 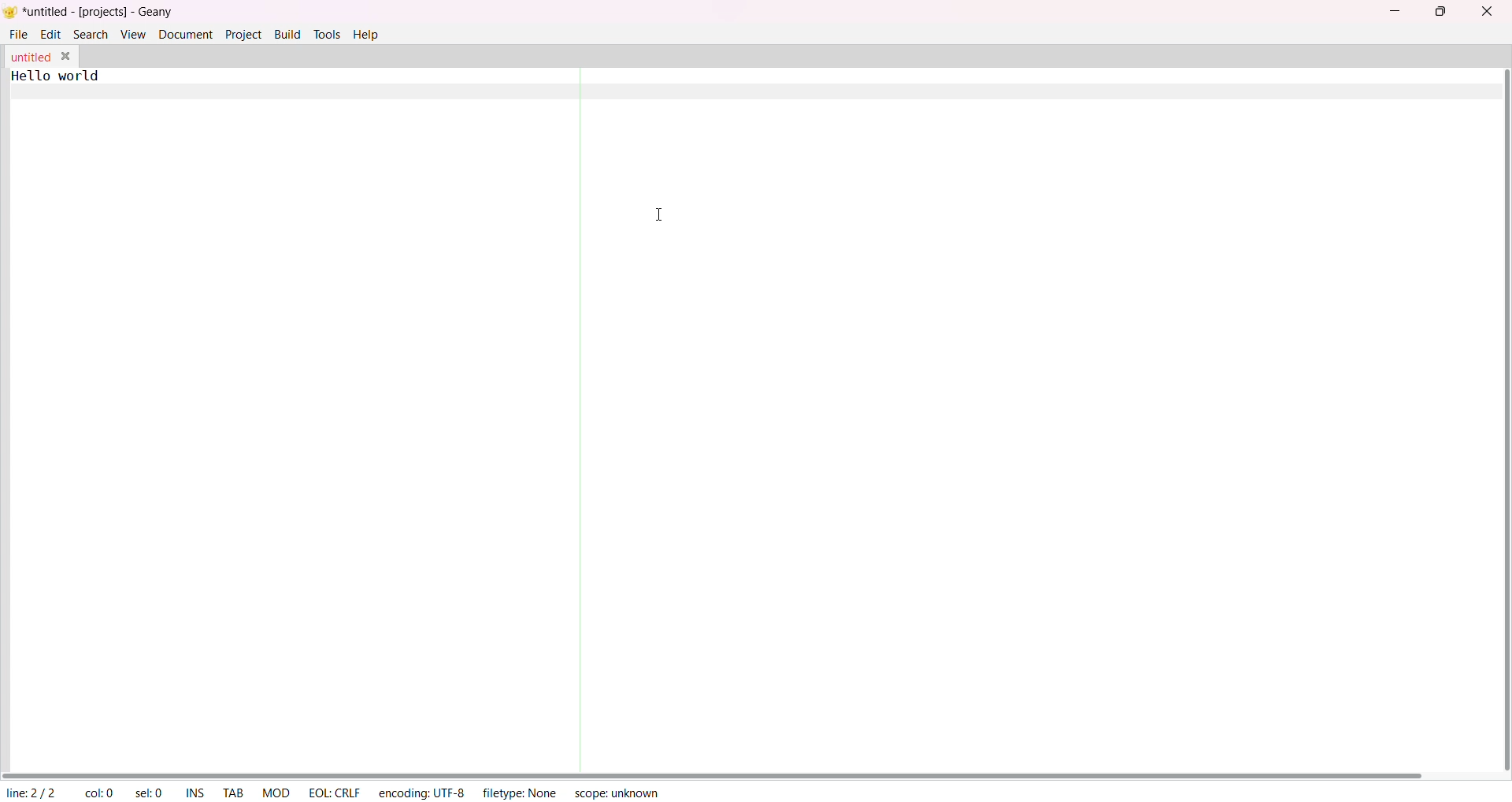 I want to click on build, so click(x=287, y=32).